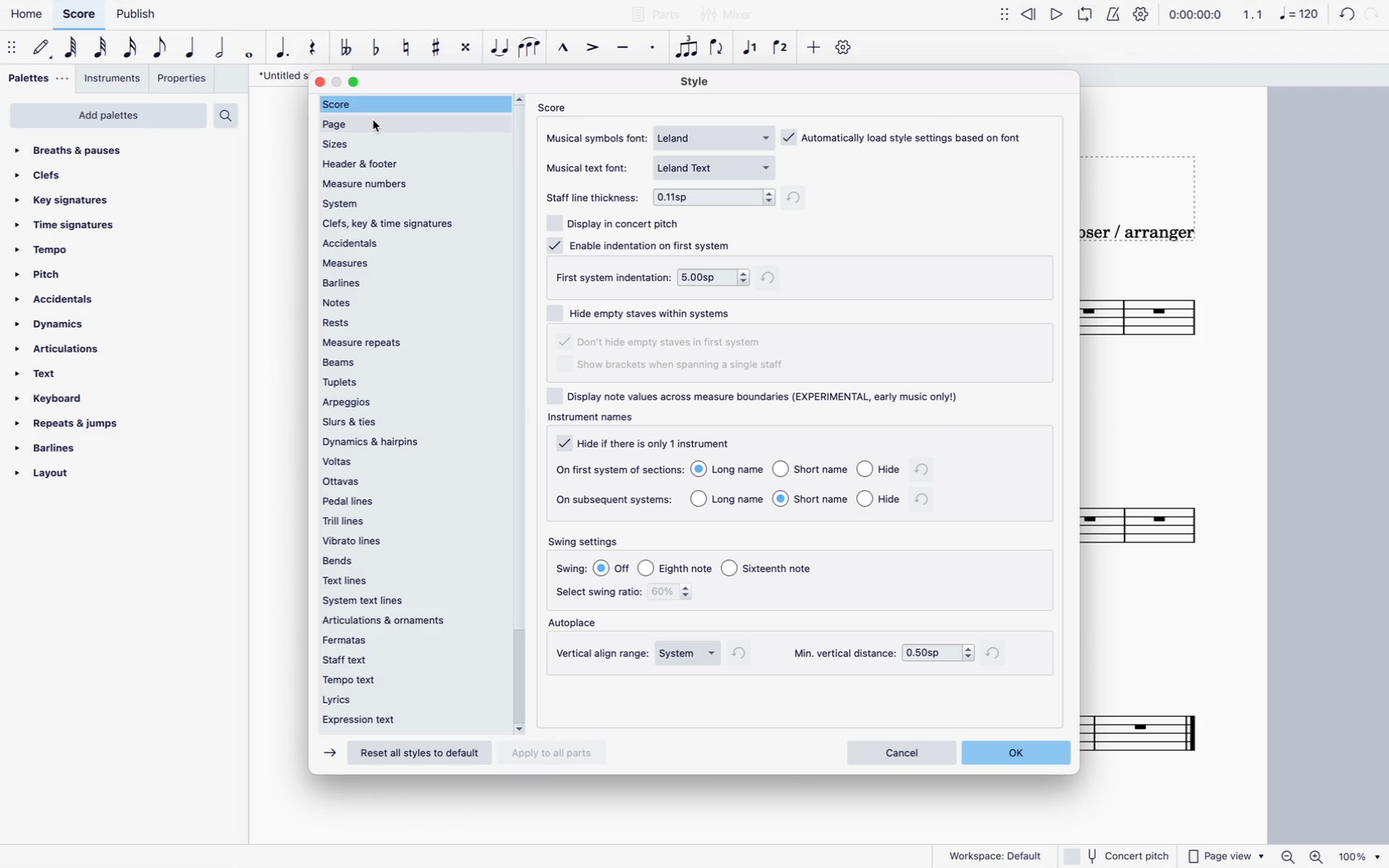 The height and width of the screenshot is (868, 1389). What do you see at coordinates (644, 245) in the screenshot?
I see `enable indentation` at bounding box center [644, 245].